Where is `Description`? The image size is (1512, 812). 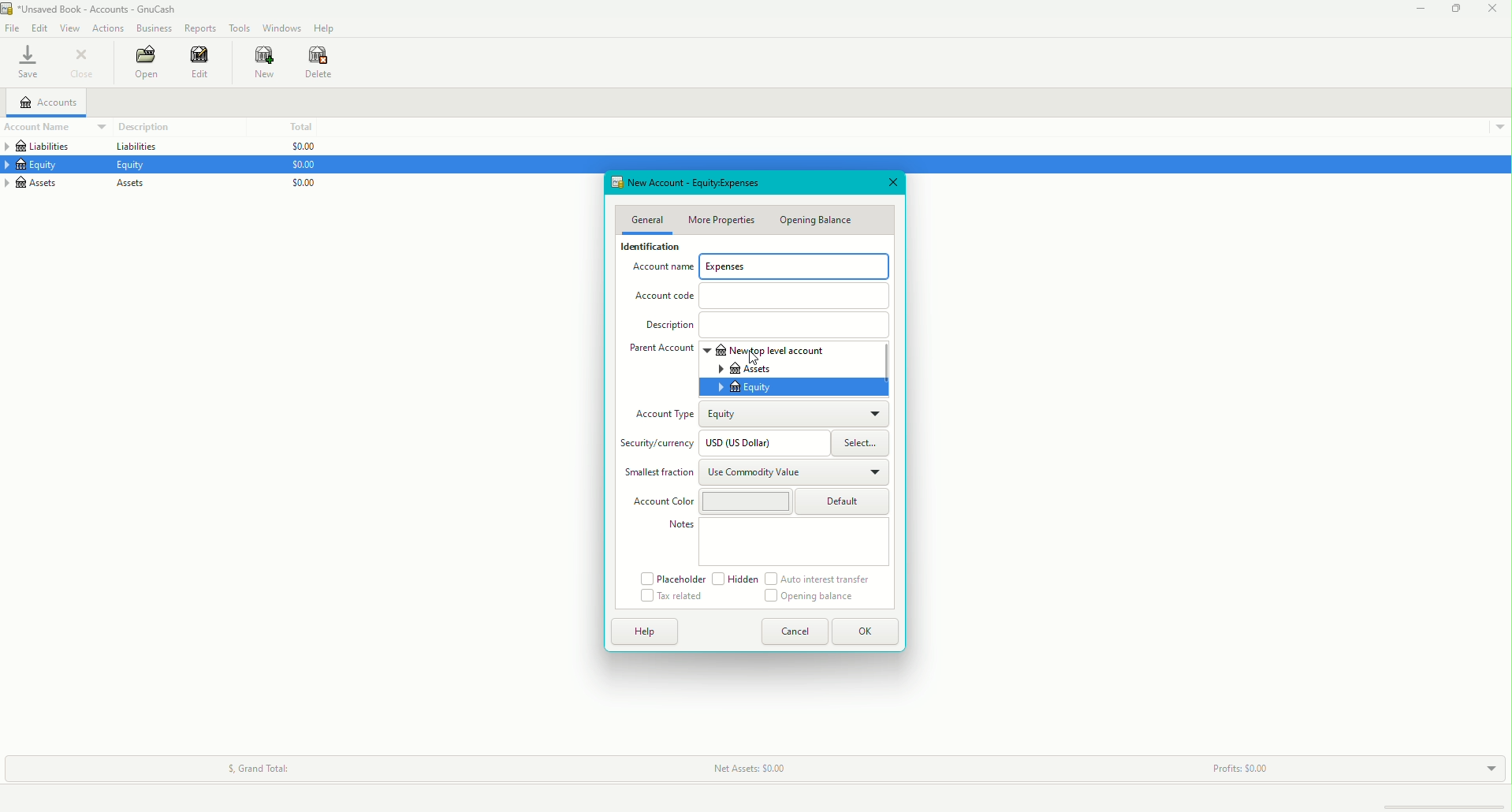
Description is located at coordinates (764, 324).